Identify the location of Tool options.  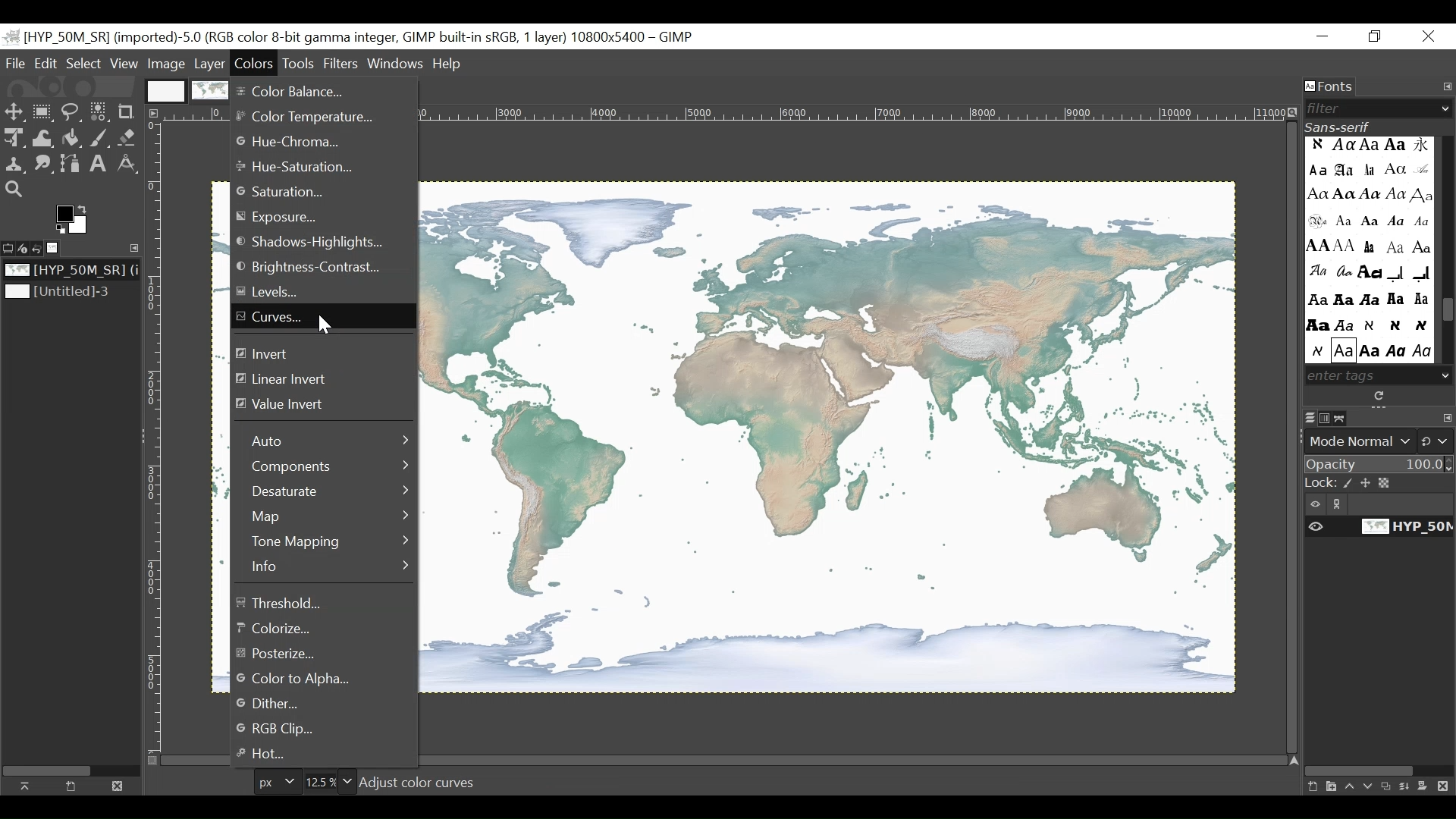
(9, 246).